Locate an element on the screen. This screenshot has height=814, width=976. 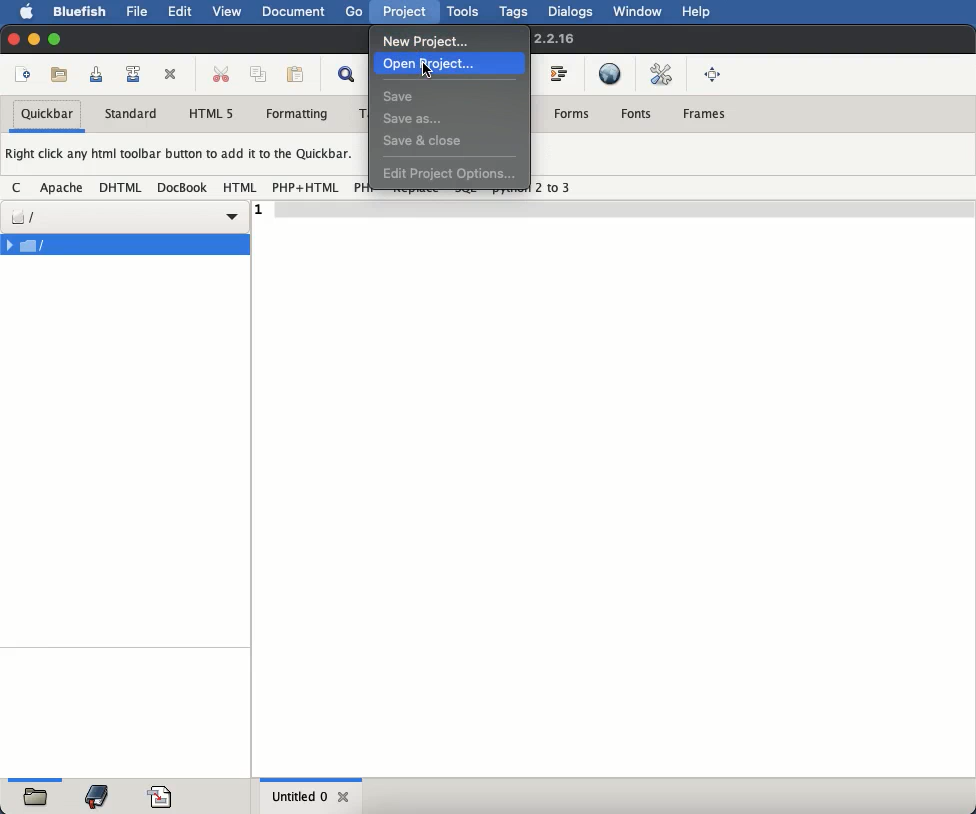
save file as is located at coordinates (135, 74).